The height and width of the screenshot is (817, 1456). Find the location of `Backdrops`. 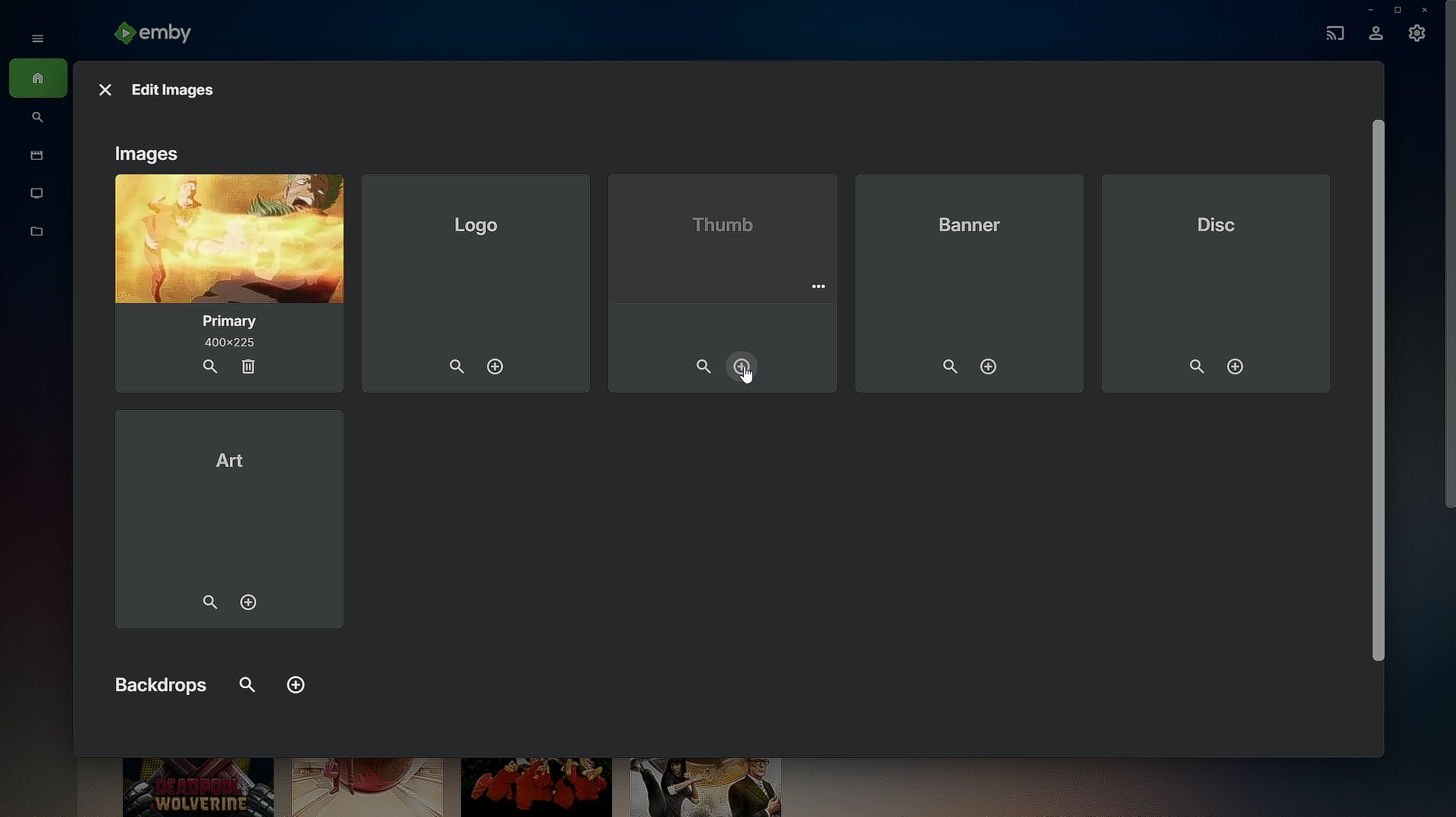

Backdrops is located at coordinates (160, 683).